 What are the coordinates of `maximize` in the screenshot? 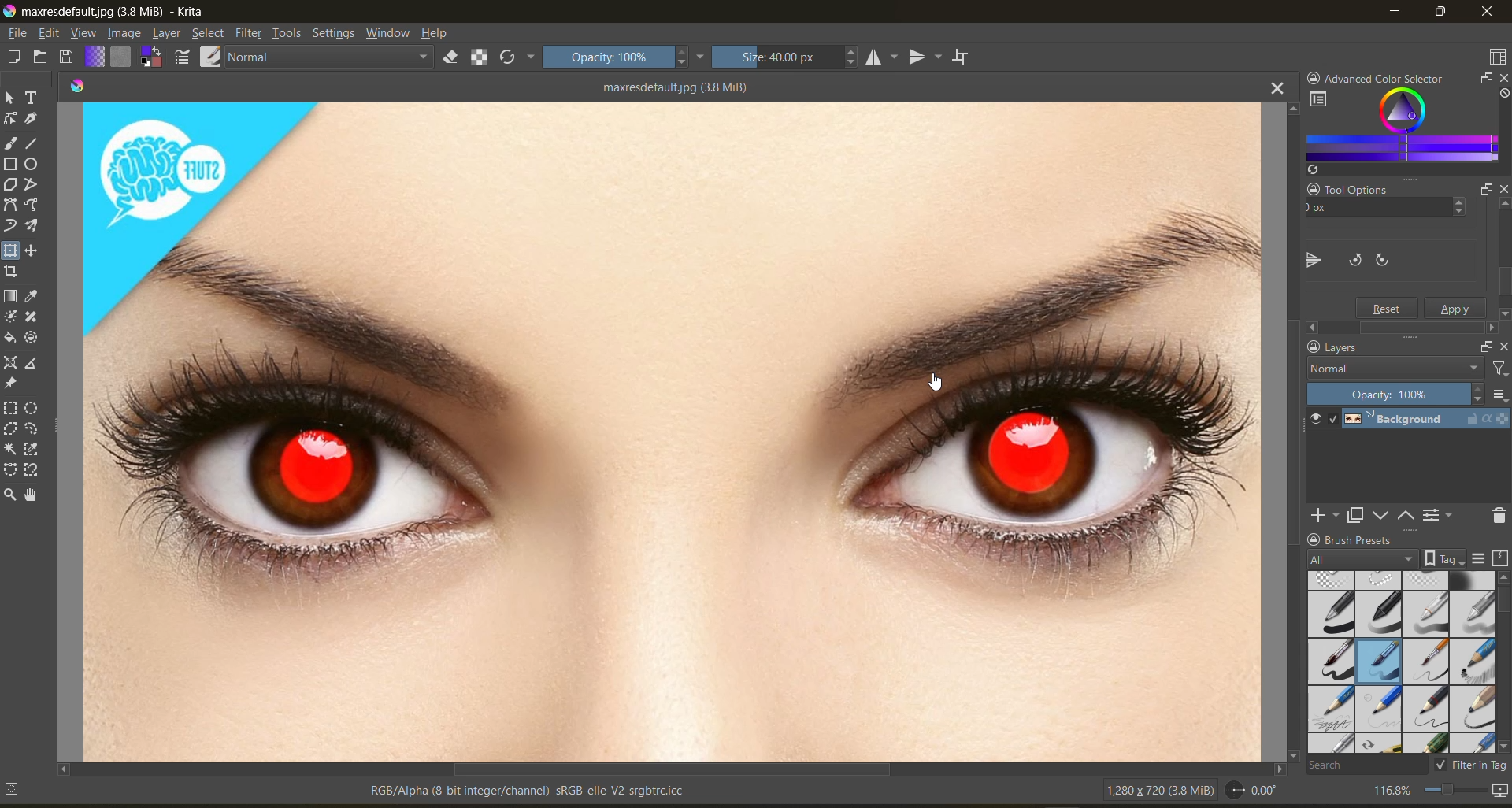 It's located at (1443, 13).